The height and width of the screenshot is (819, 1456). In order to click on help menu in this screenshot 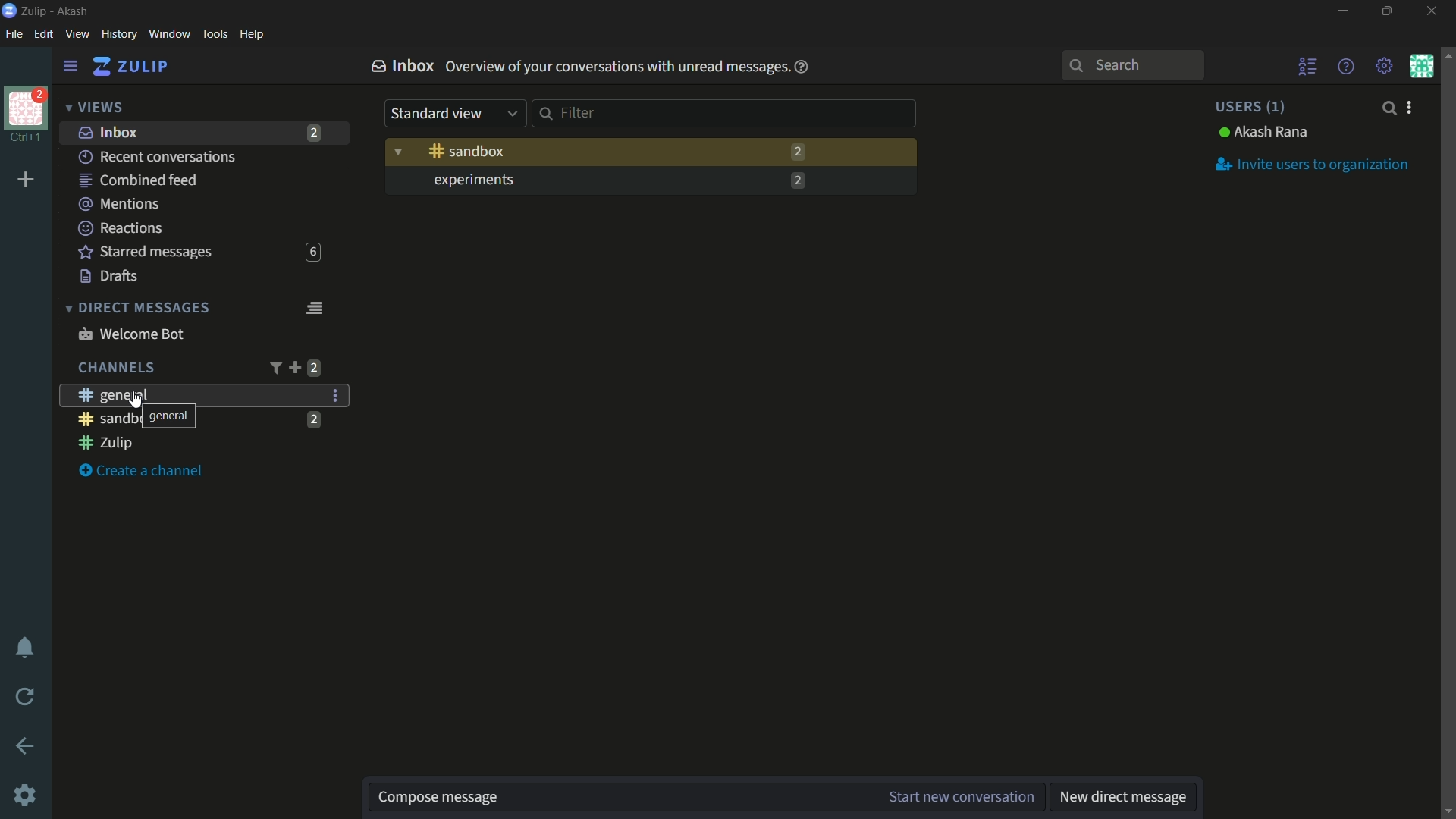, I will do `click(1345, 66)`.